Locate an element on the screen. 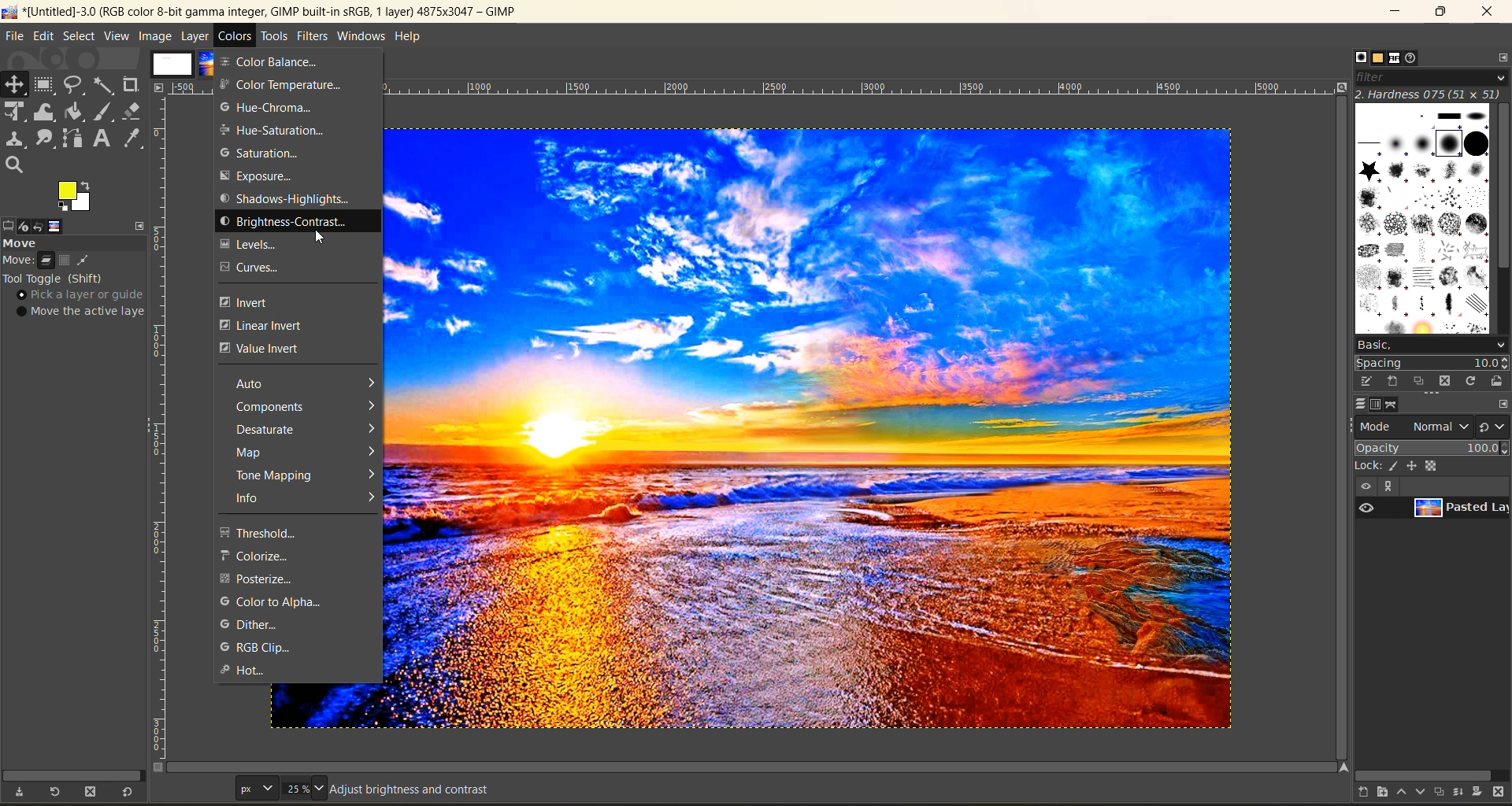 The height and width of the screenshot is (806, 1512). saturation is located at coordinates (264, 153).